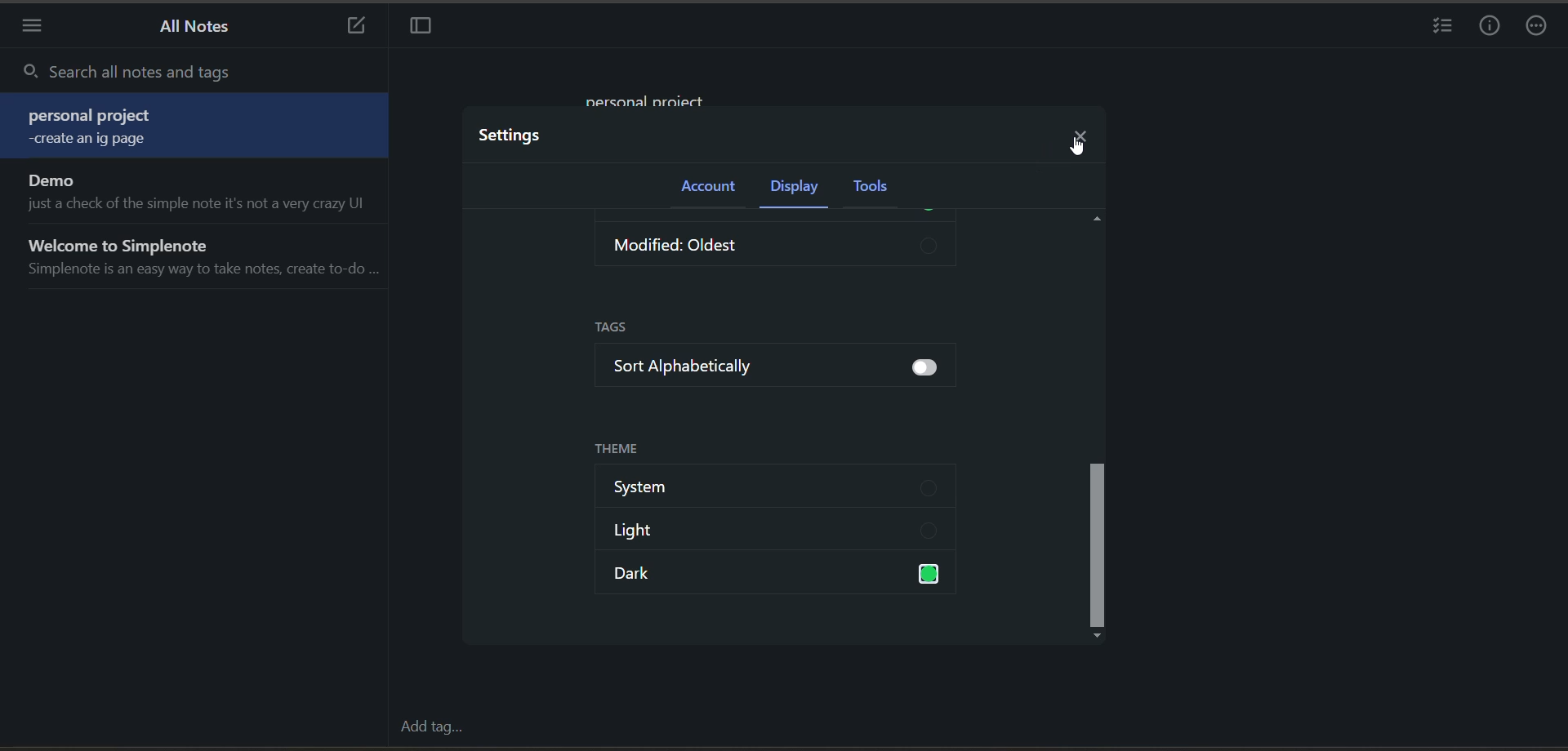  Describe the element at coordinates (791, 189) in the screenshot. I see `display` at that location.